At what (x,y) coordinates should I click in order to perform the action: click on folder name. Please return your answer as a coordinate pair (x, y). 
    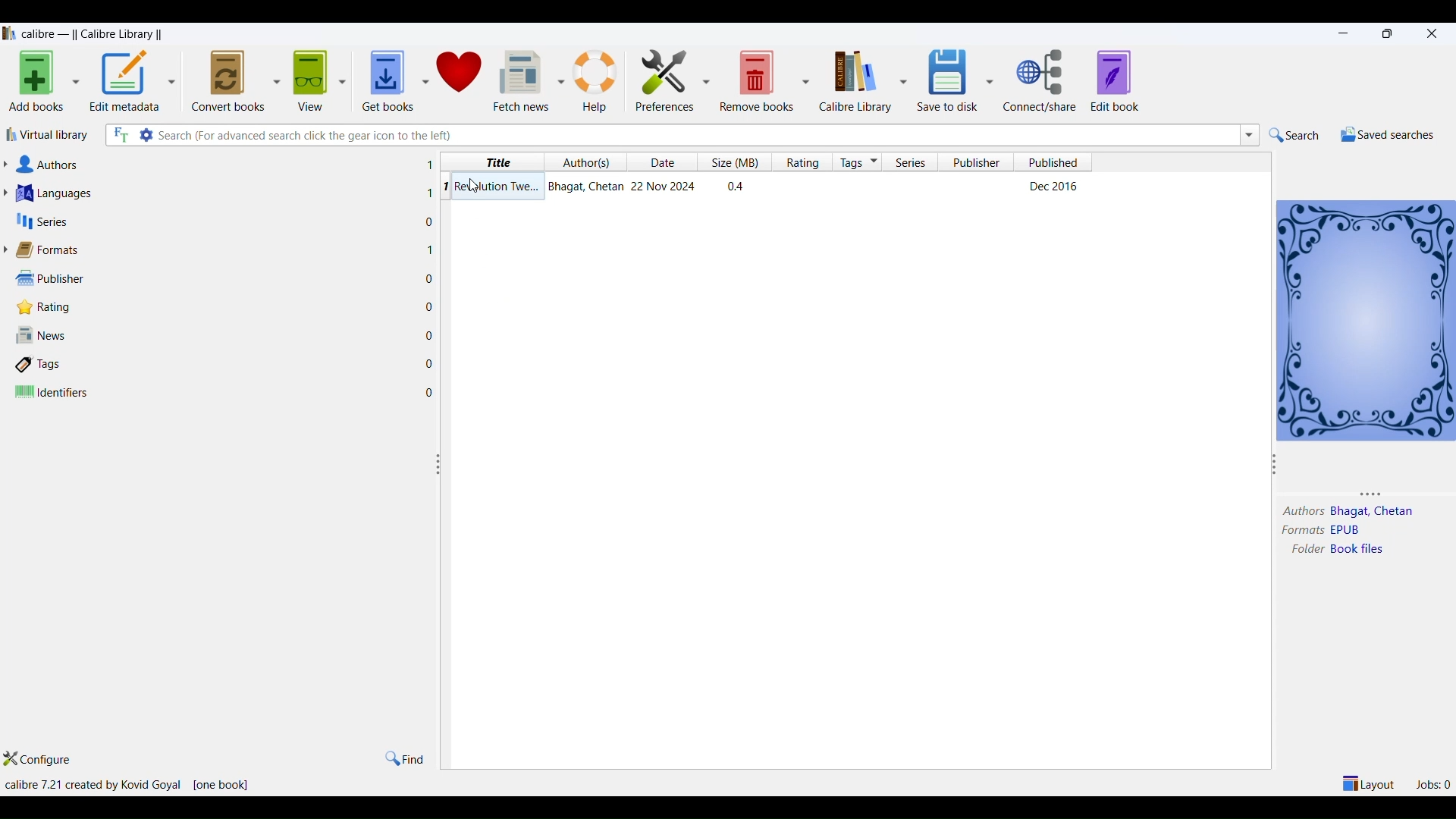
    Looking at the image, I should click on (1359, 553).